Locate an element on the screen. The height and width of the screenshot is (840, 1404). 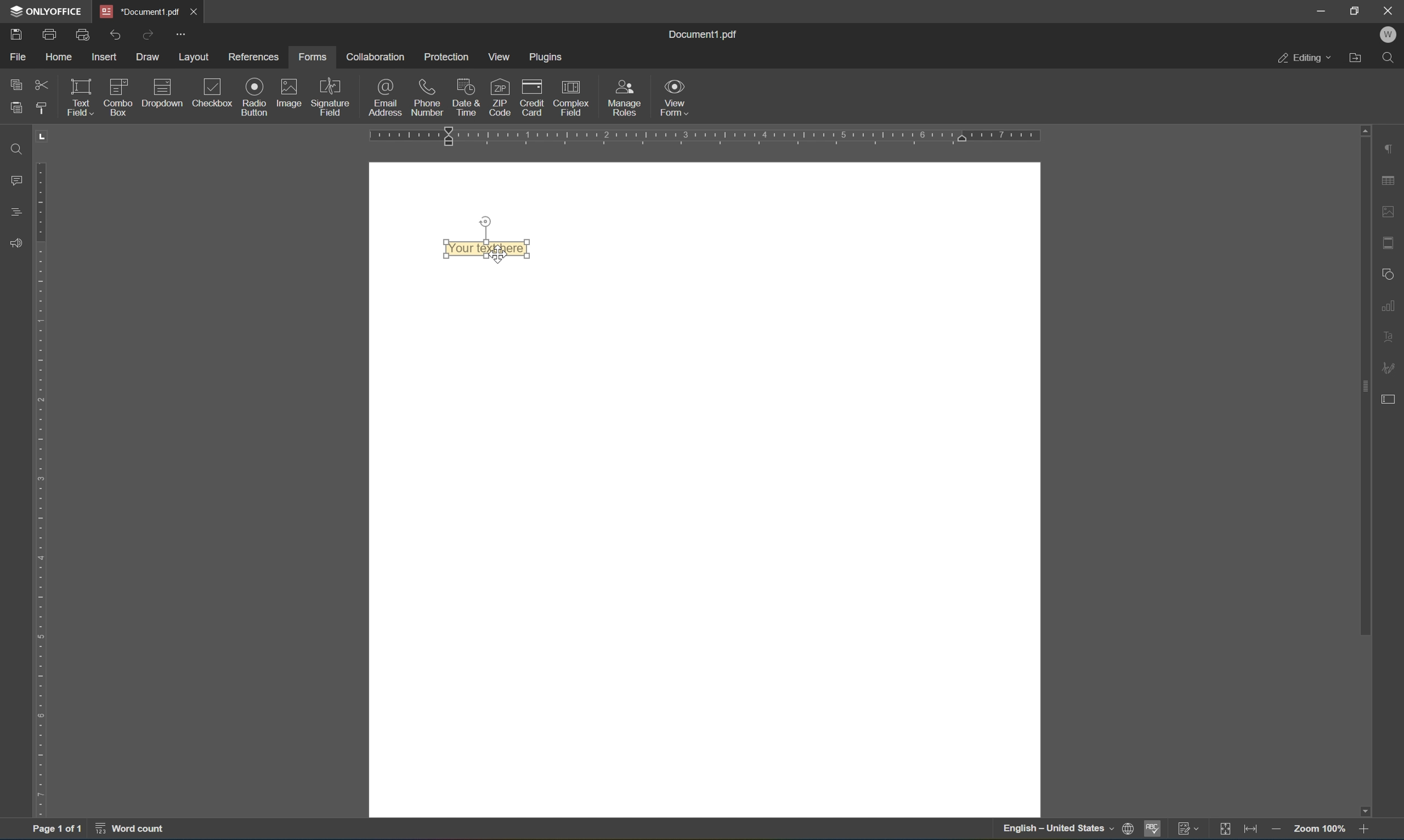
file is located at coordinates (15, 56).